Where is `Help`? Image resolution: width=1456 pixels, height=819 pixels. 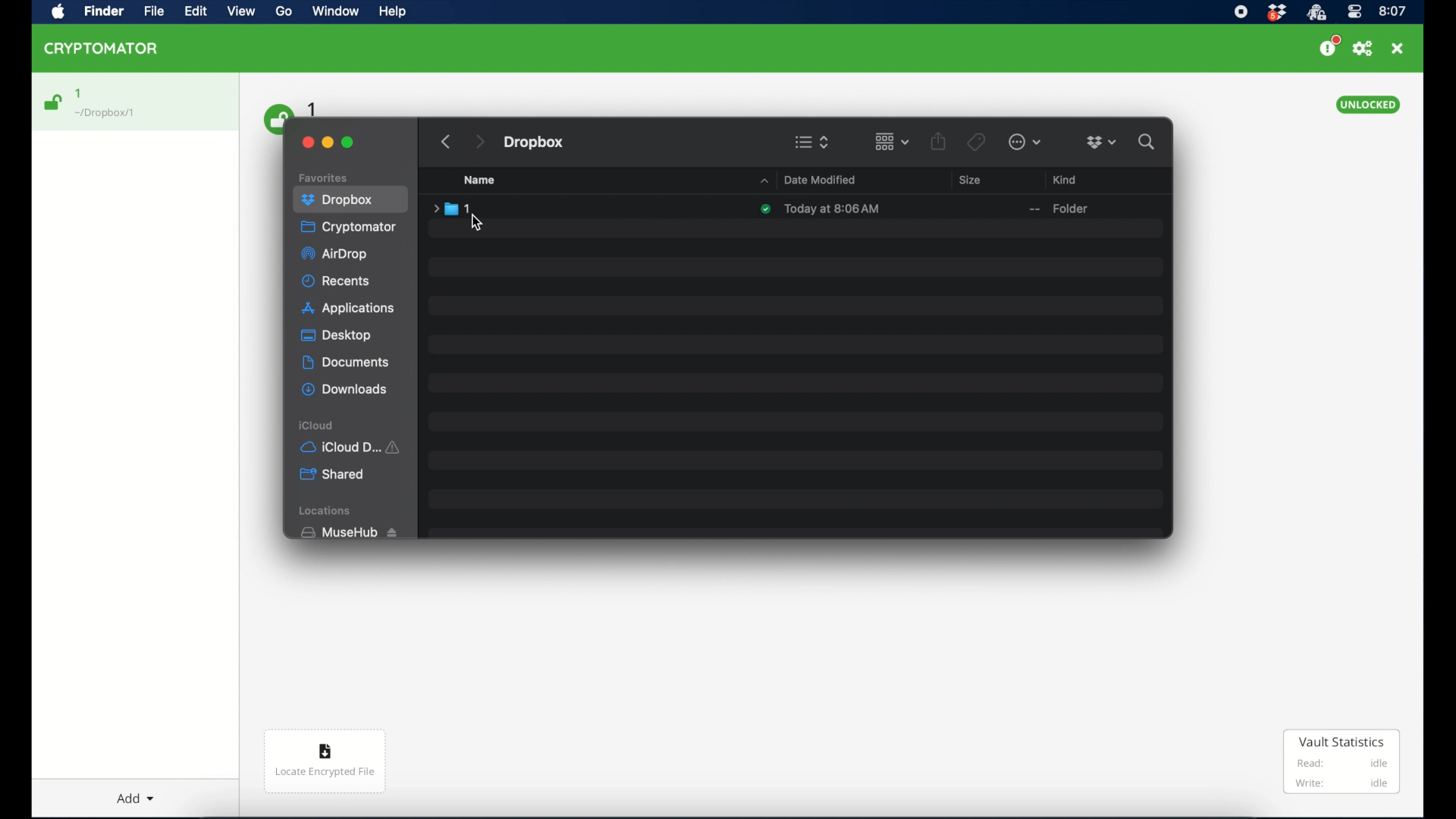
Help is located at coordinates (394, 14).